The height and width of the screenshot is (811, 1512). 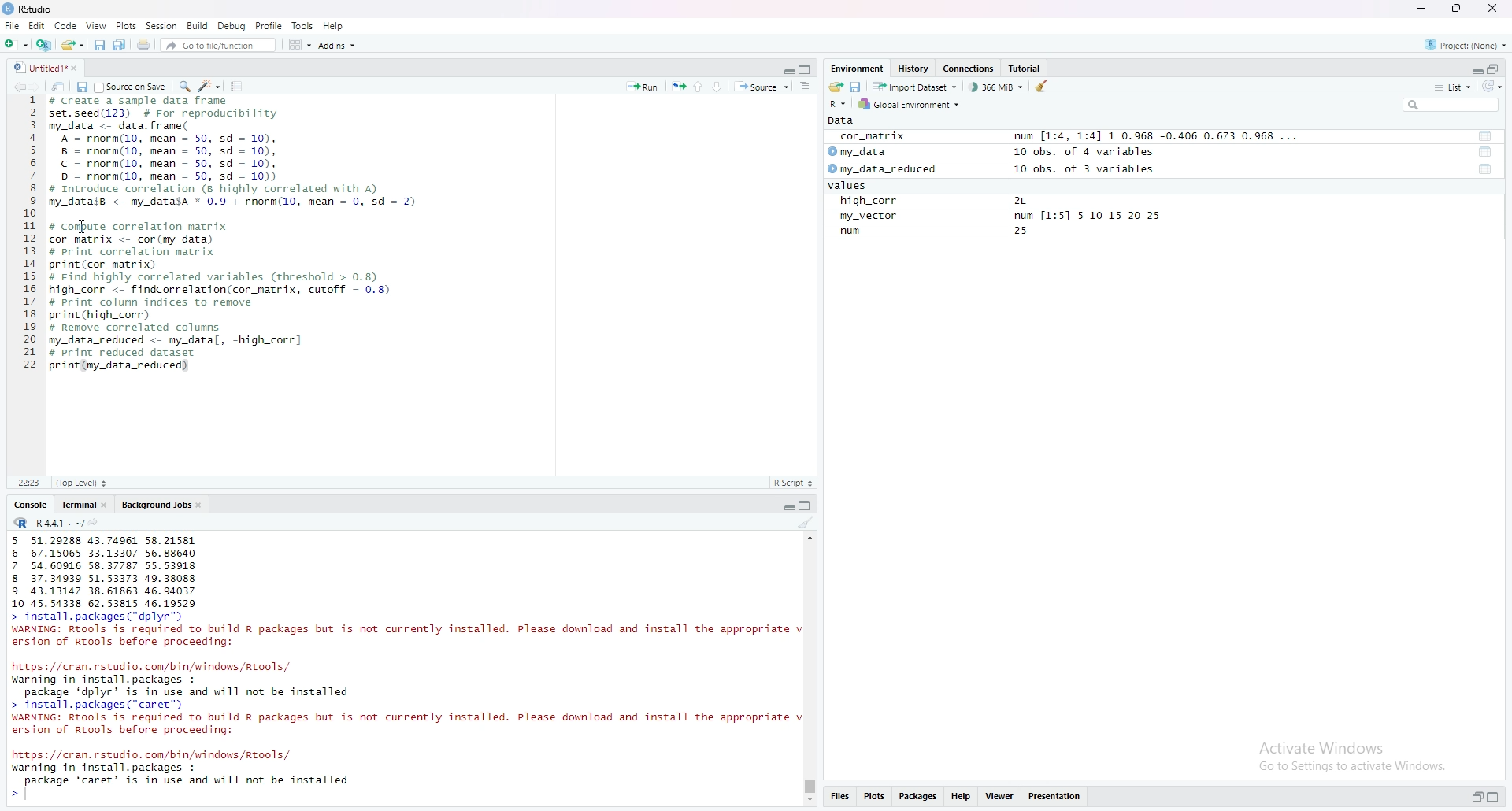 What do you see at coordinates (1043, 86) in the screenshot?
I see `clean` at bounding box center [1043, 86].